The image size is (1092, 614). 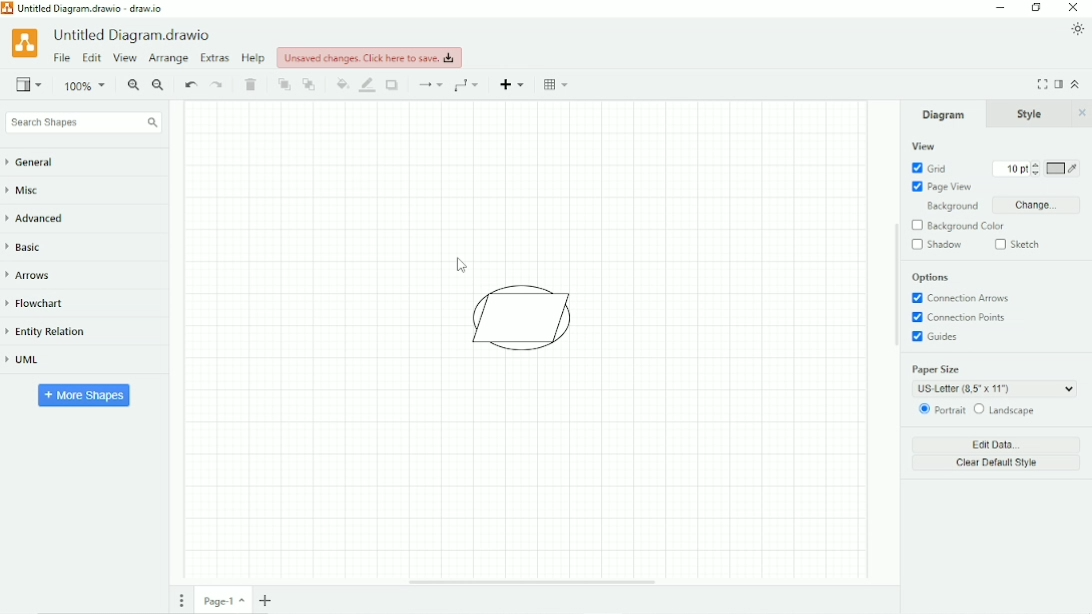 What do you see at coordinates (29, 192) in the screenshot?
I see `Misc` at bounding box center [29, 192].